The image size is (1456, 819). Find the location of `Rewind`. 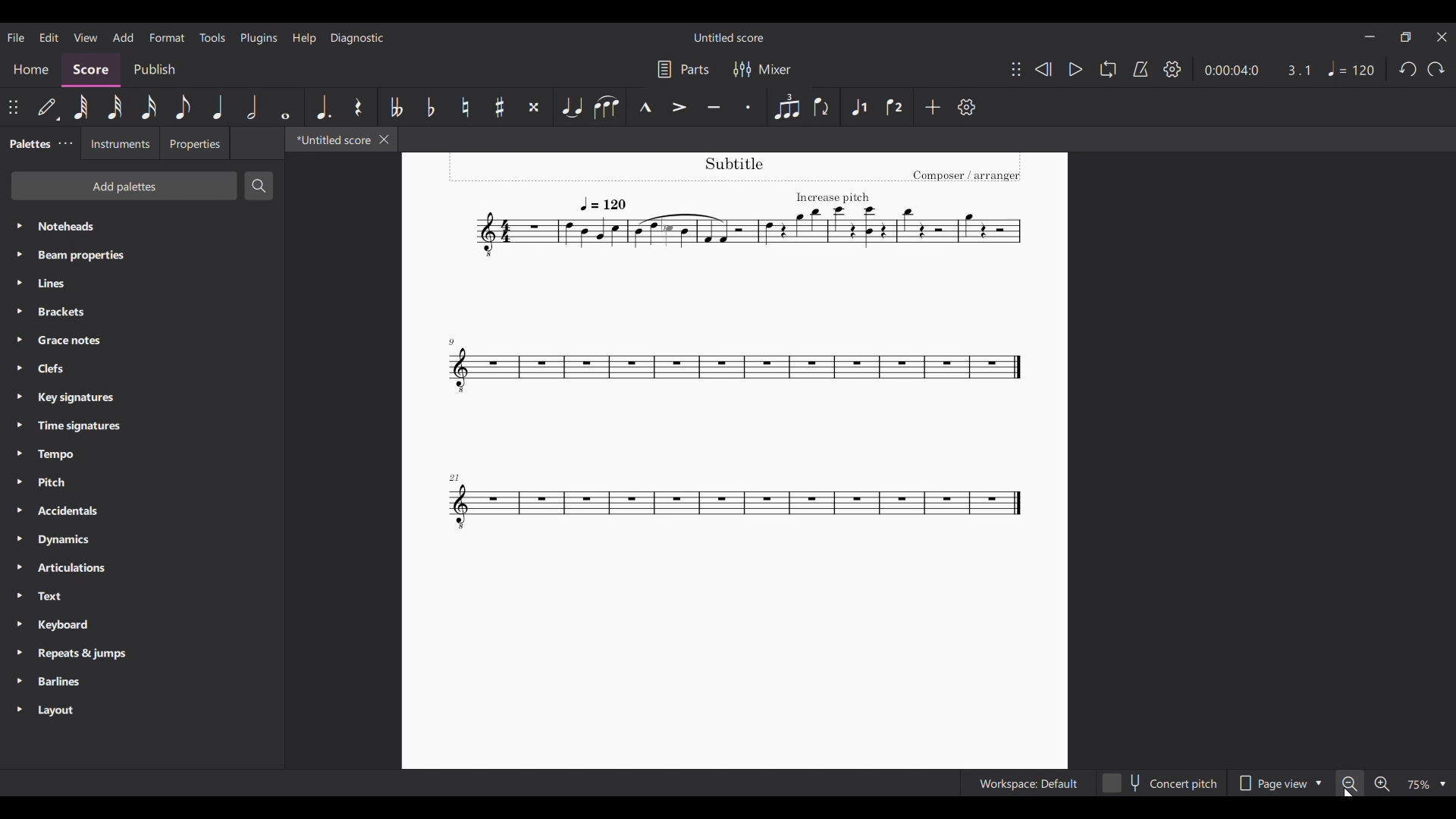

Rewind is located at coordinates (1043, 70).